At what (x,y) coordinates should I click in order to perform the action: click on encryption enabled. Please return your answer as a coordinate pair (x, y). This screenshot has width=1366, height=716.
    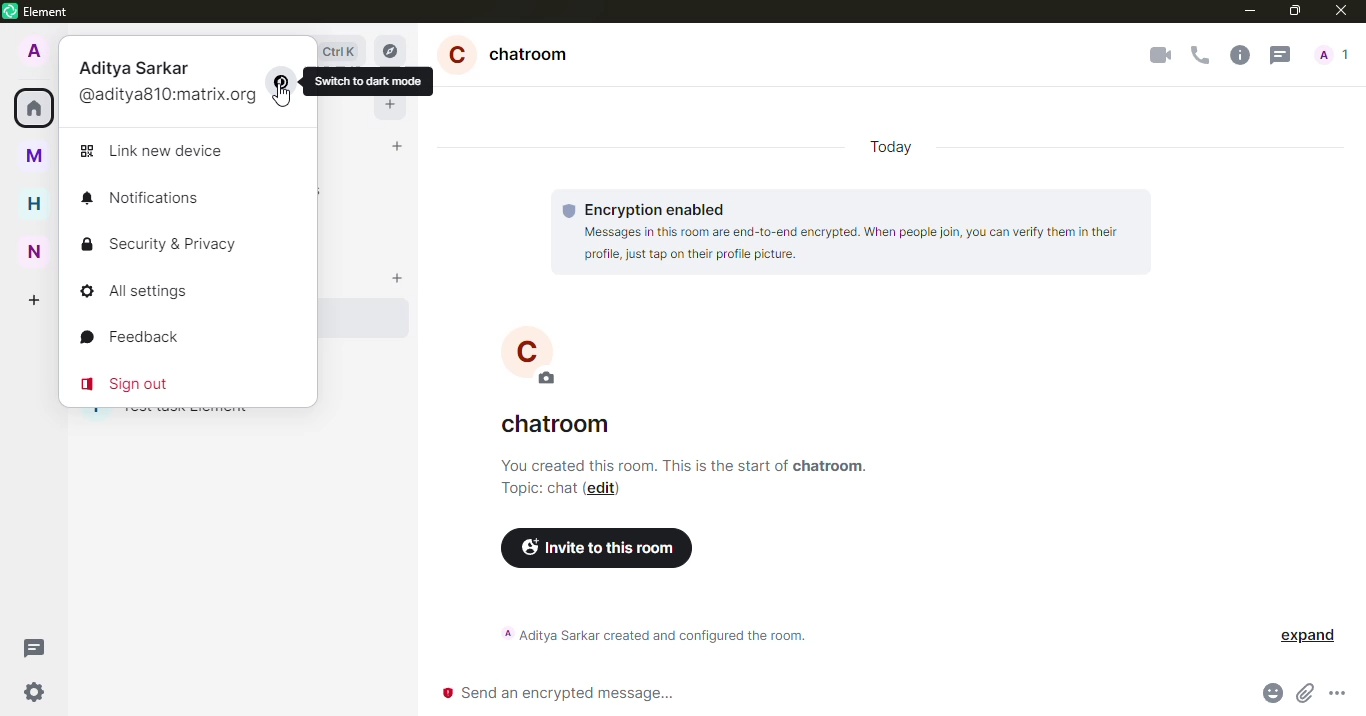
    Looking at the image, I should click on (647, 209).